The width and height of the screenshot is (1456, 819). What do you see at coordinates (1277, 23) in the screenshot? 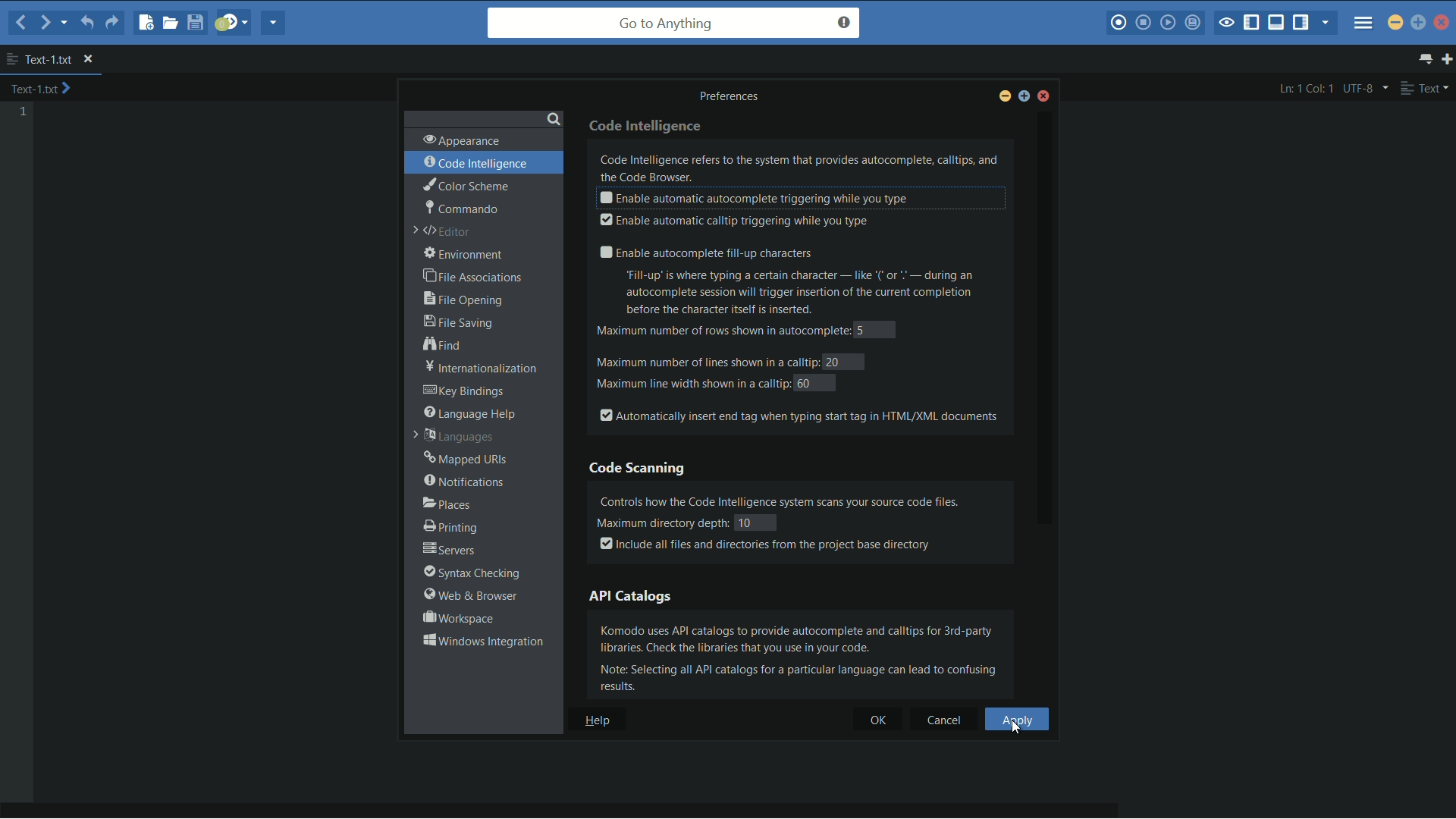
I see `show/hide bottom panel` at bounding box center [1277, 23].